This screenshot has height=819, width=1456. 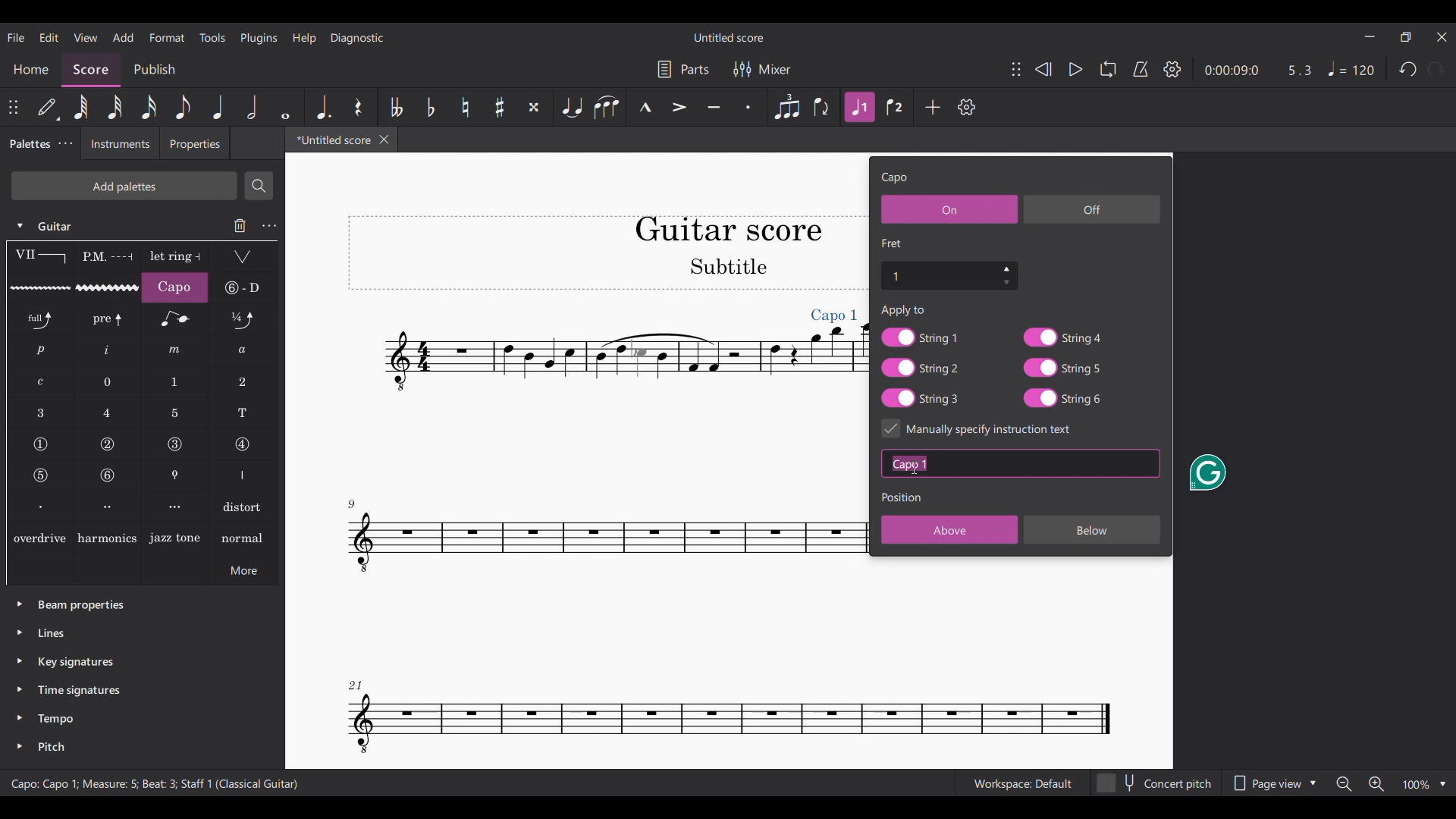 I want to click on LH guitar fingering T, so click(x=243, y=413).